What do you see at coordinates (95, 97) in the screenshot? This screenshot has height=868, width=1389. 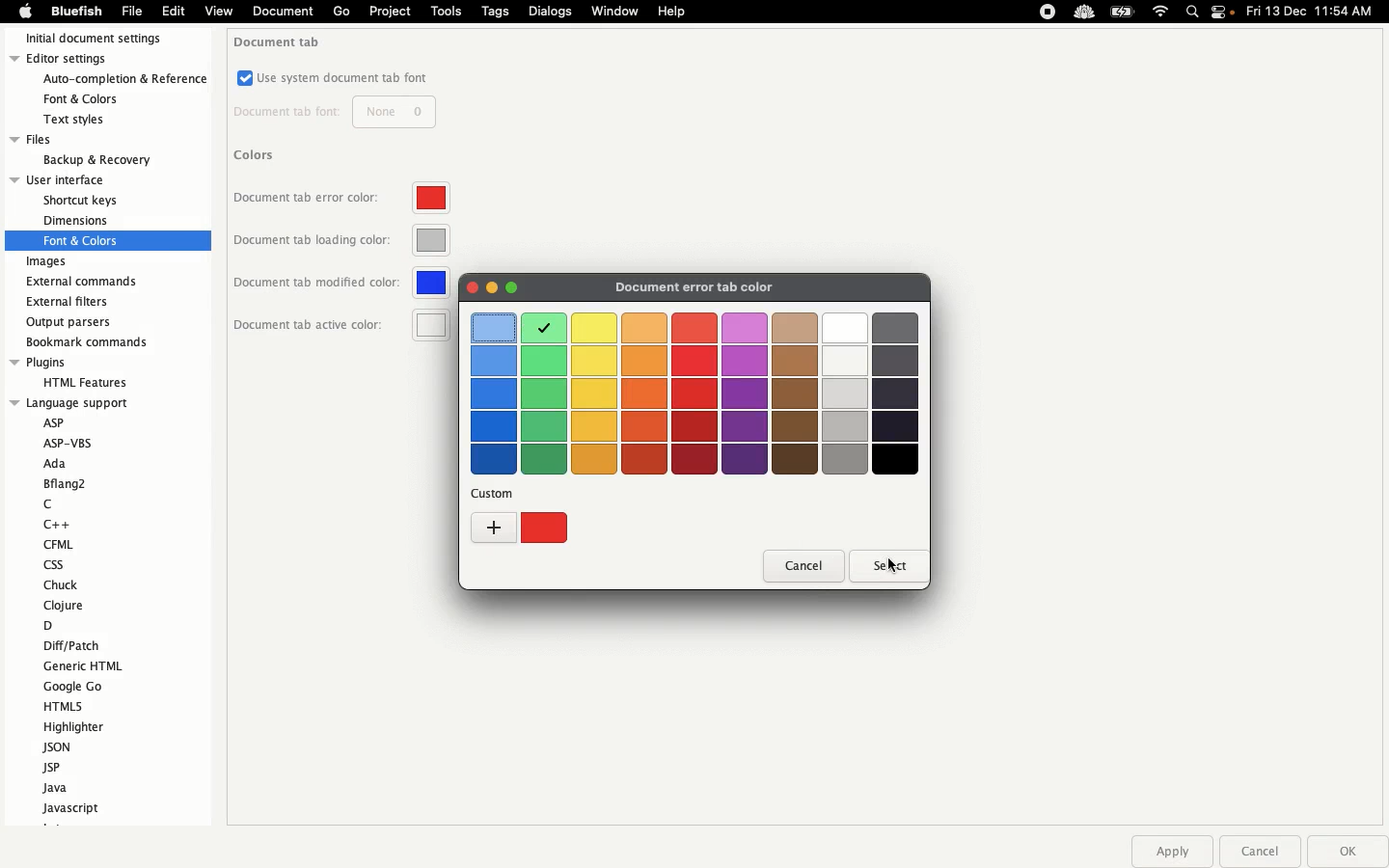 I see `fonts & colors` at bounding box center [95, 97].